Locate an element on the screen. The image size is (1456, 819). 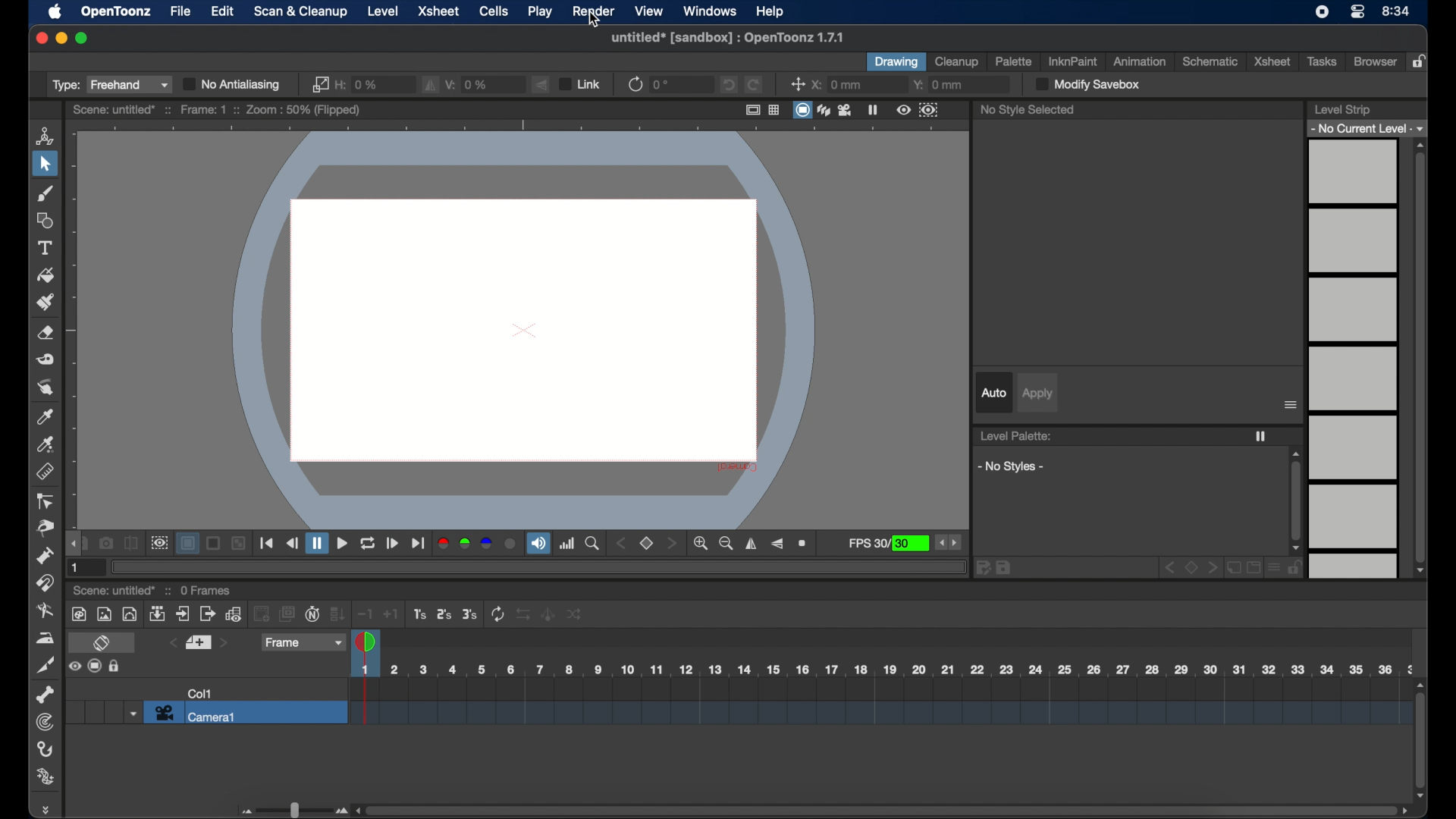
zoom is located at coordinates (714, 543).